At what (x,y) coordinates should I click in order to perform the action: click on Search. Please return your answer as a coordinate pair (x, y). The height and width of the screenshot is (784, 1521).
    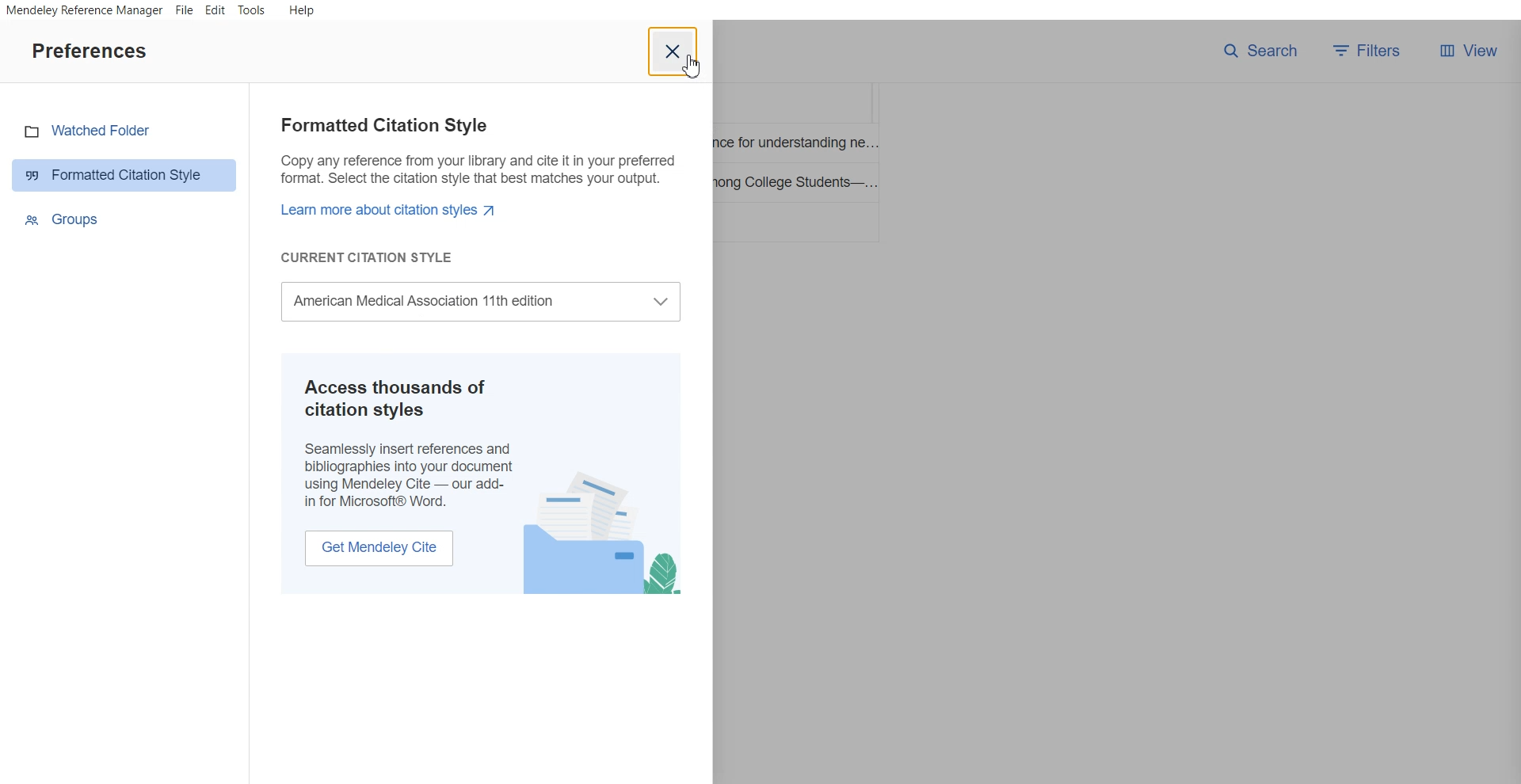
    Looking at the image, I should click on (1260, 51).